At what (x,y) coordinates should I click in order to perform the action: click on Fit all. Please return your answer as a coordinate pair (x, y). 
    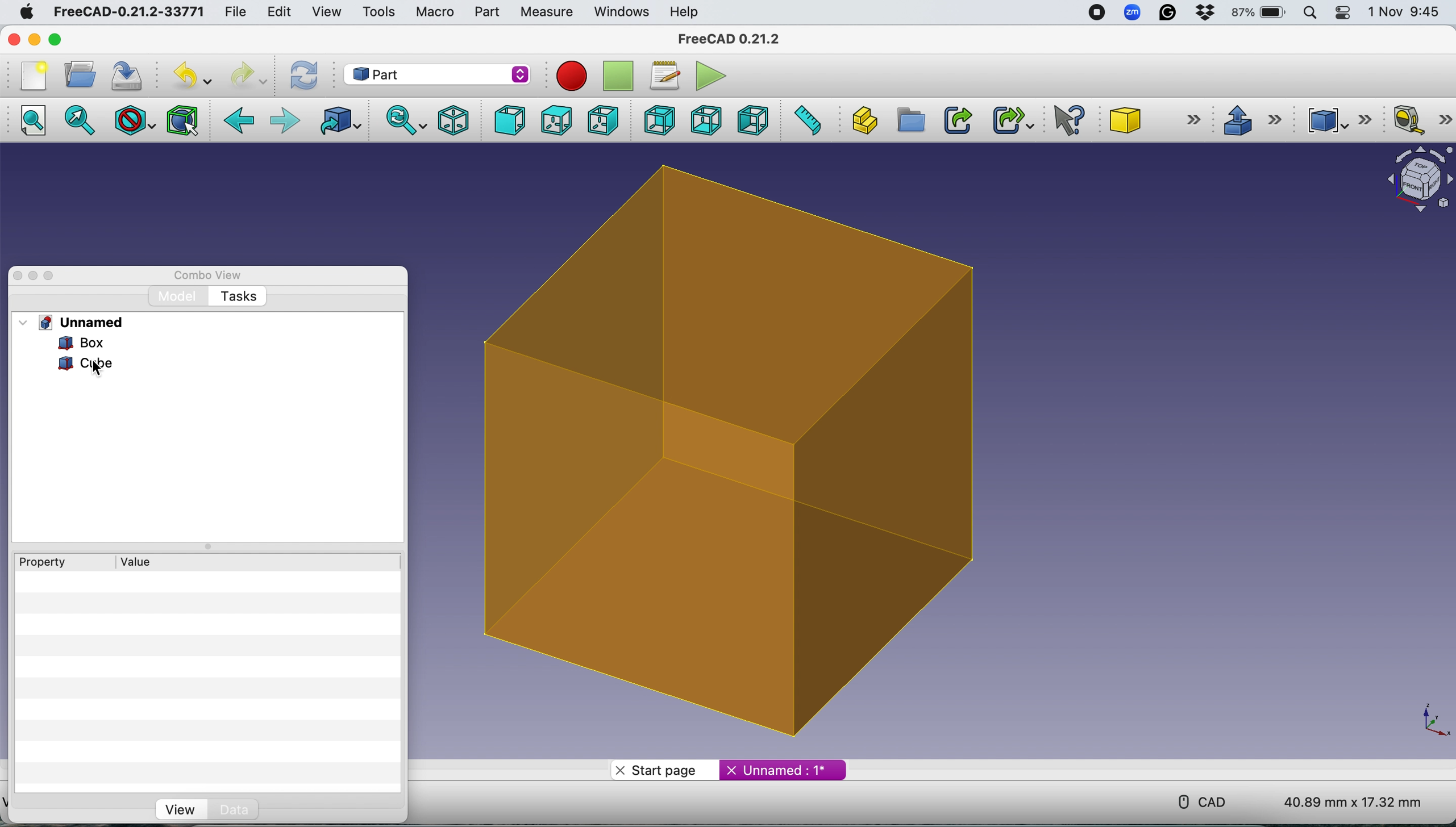
    Looking at the image, I should click on (39, 122).